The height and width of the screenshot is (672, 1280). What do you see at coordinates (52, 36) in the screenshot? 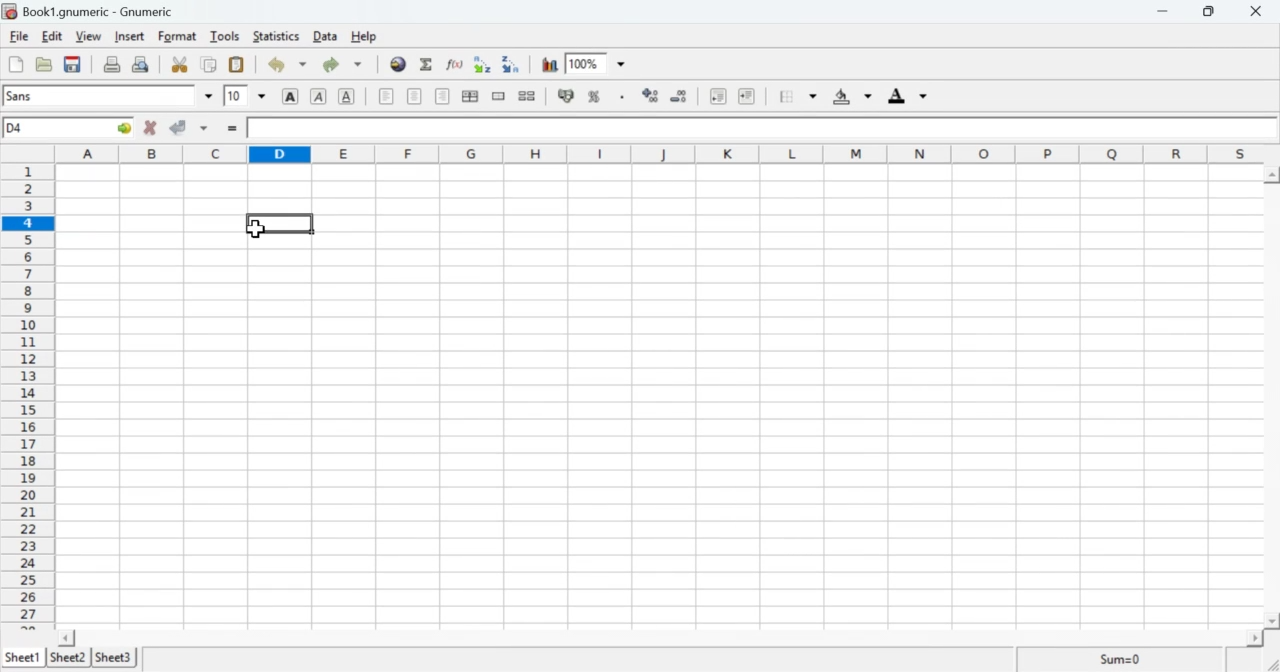
I see `Edit` at bounding box center [52, 36].